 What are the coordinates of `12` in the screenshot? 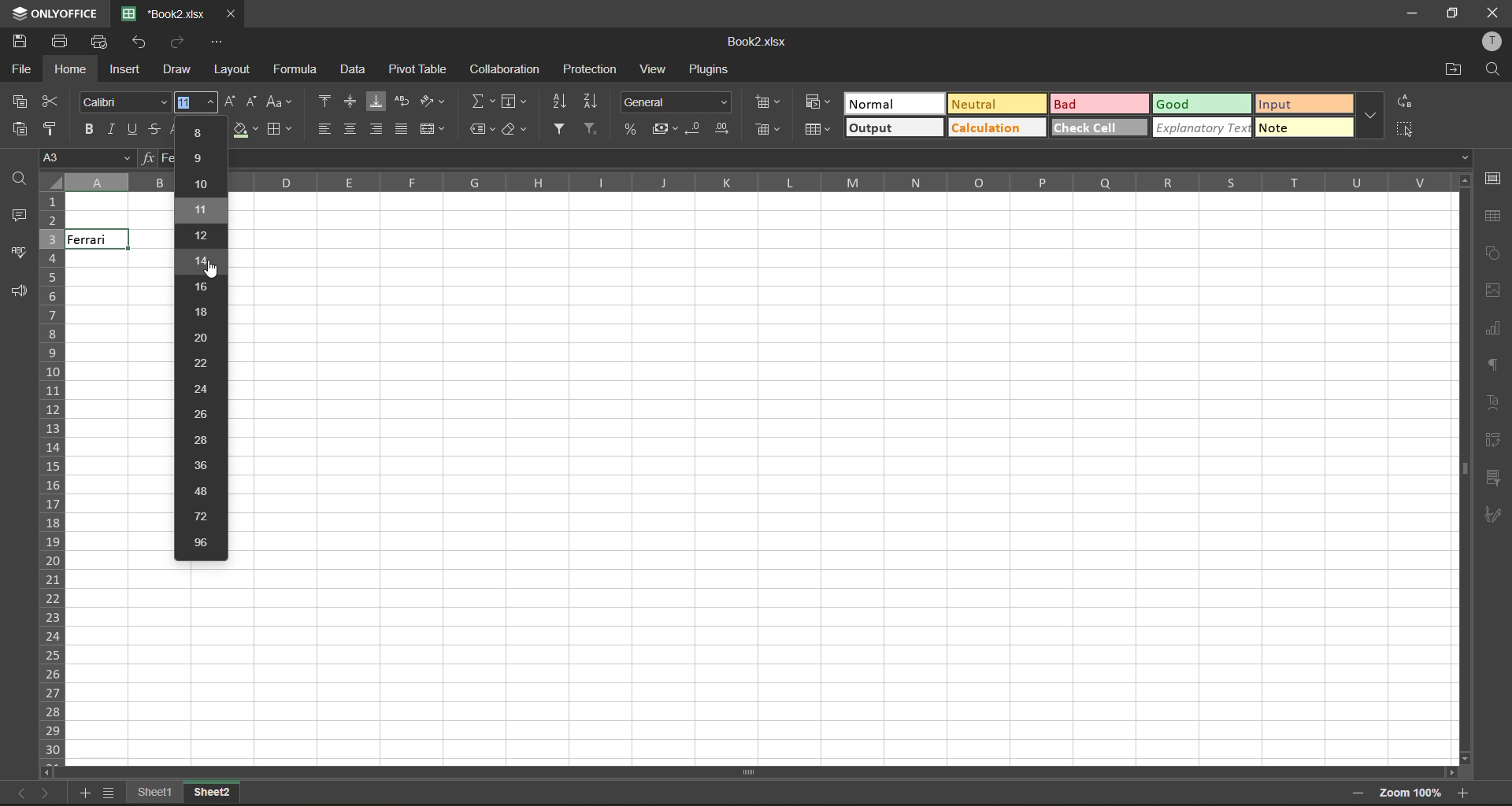 It's located at (202, 237).